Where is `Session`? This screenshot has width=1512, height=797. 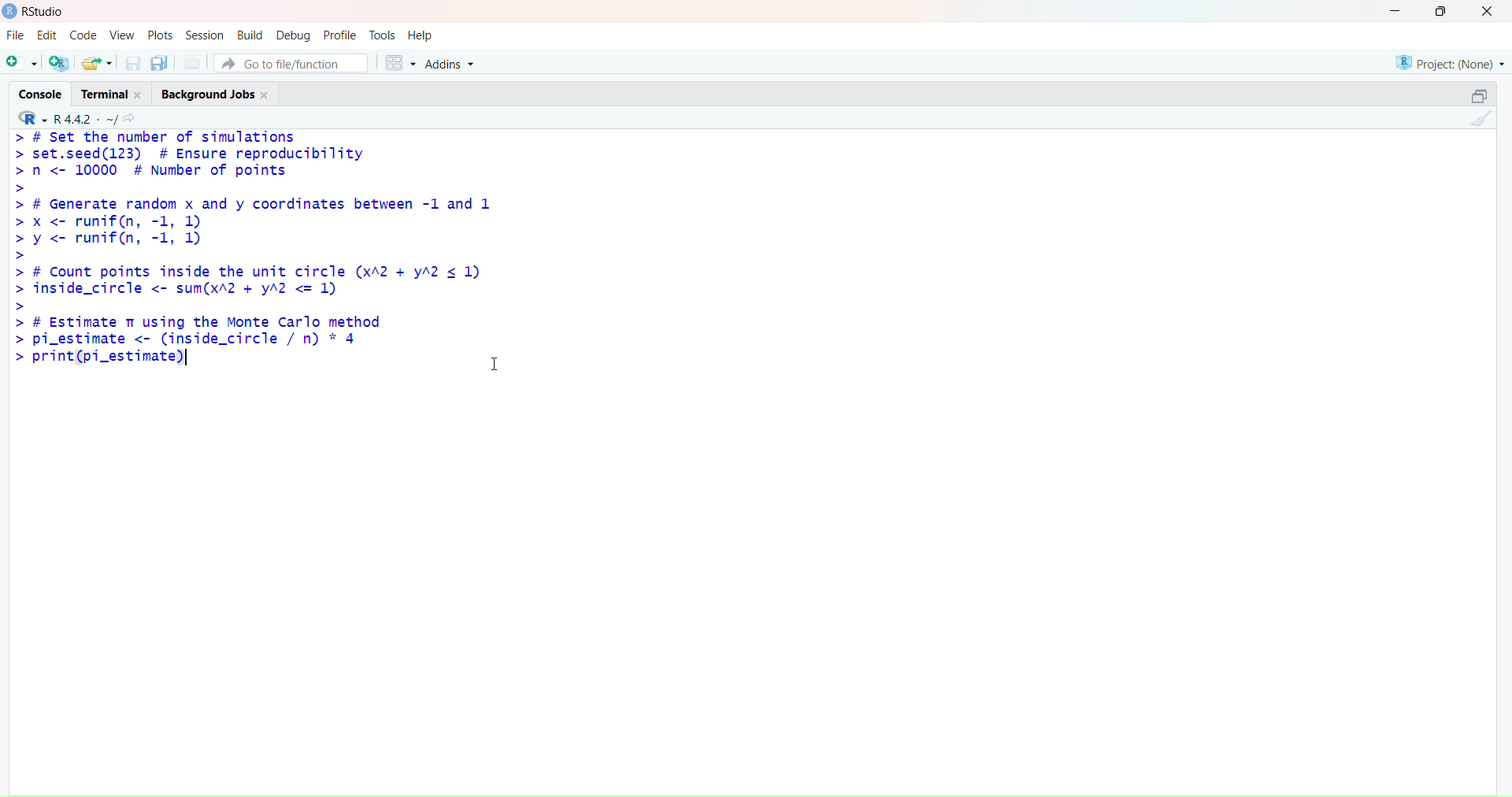 Session is located at coordinates (203, 34).